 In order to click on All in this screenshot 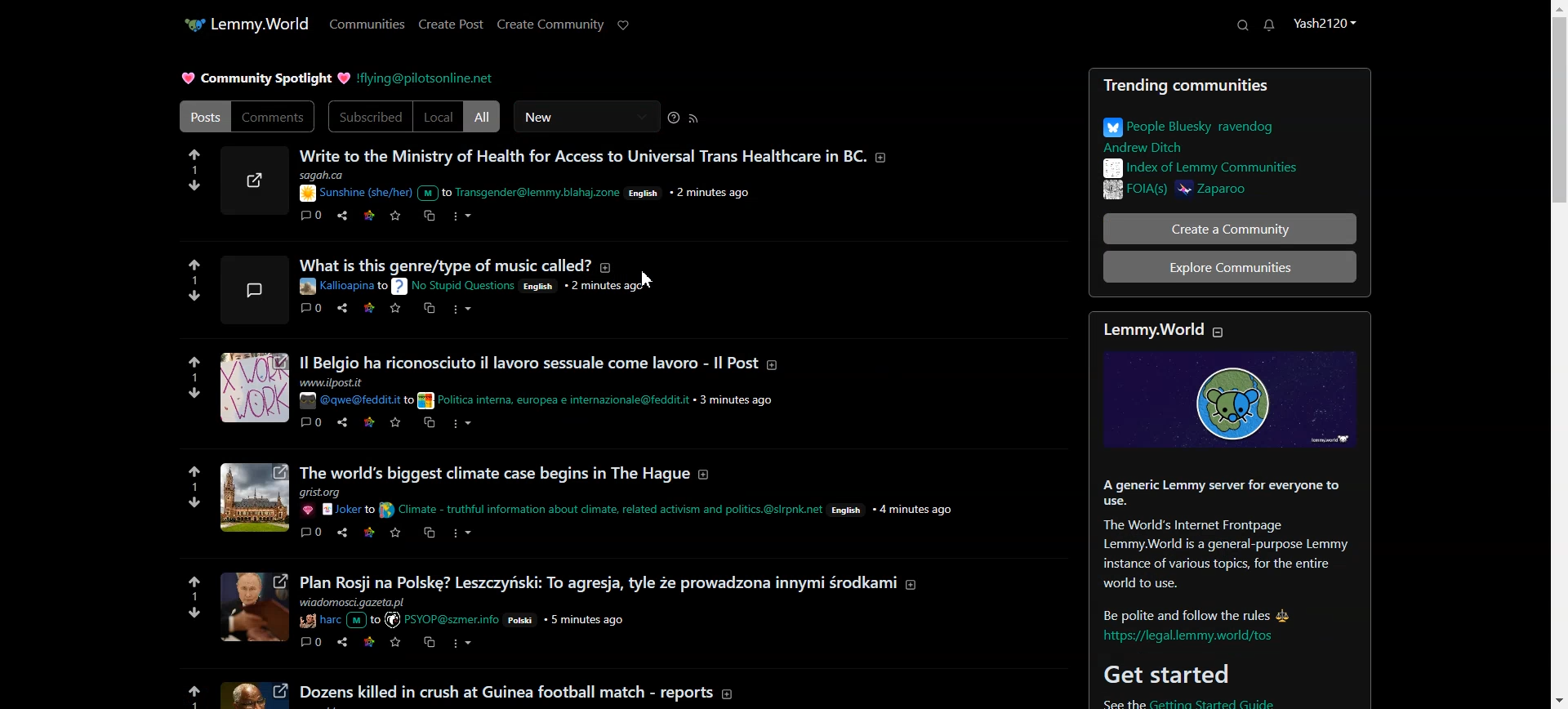, I will do `click(483, 116)`.